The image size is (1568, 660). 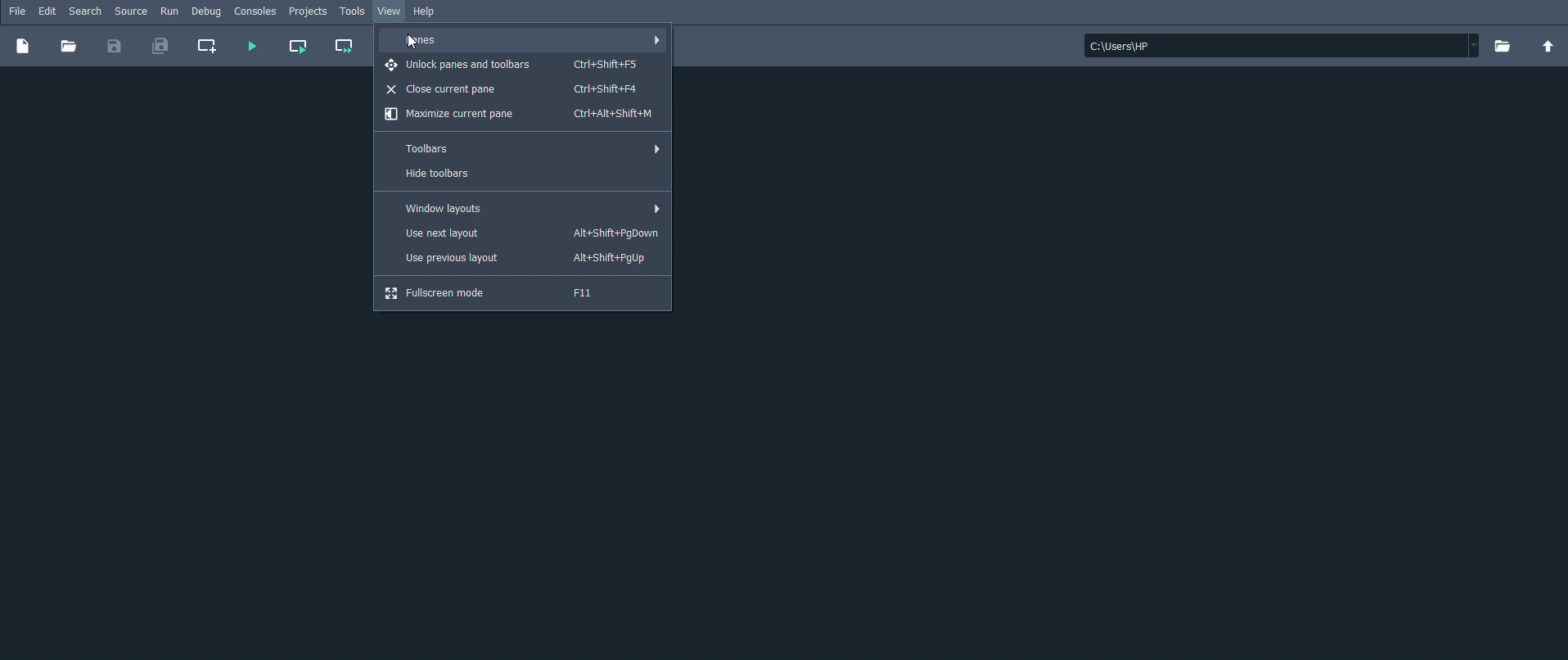 What do you see at coordinates (206, 11) in the screenshot?
I see `Debug` at bounding box center [206, 11].